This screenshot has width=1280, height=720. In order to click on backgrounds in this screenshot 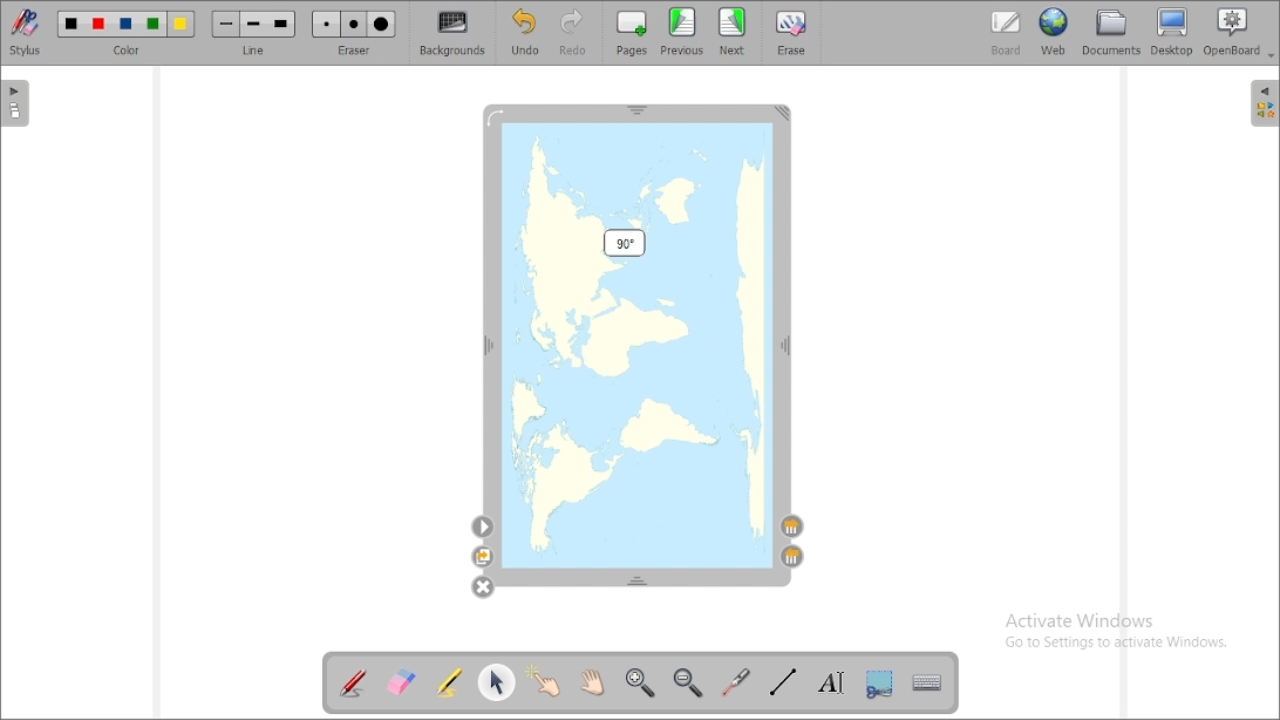, I will do `click(451, 33)`.